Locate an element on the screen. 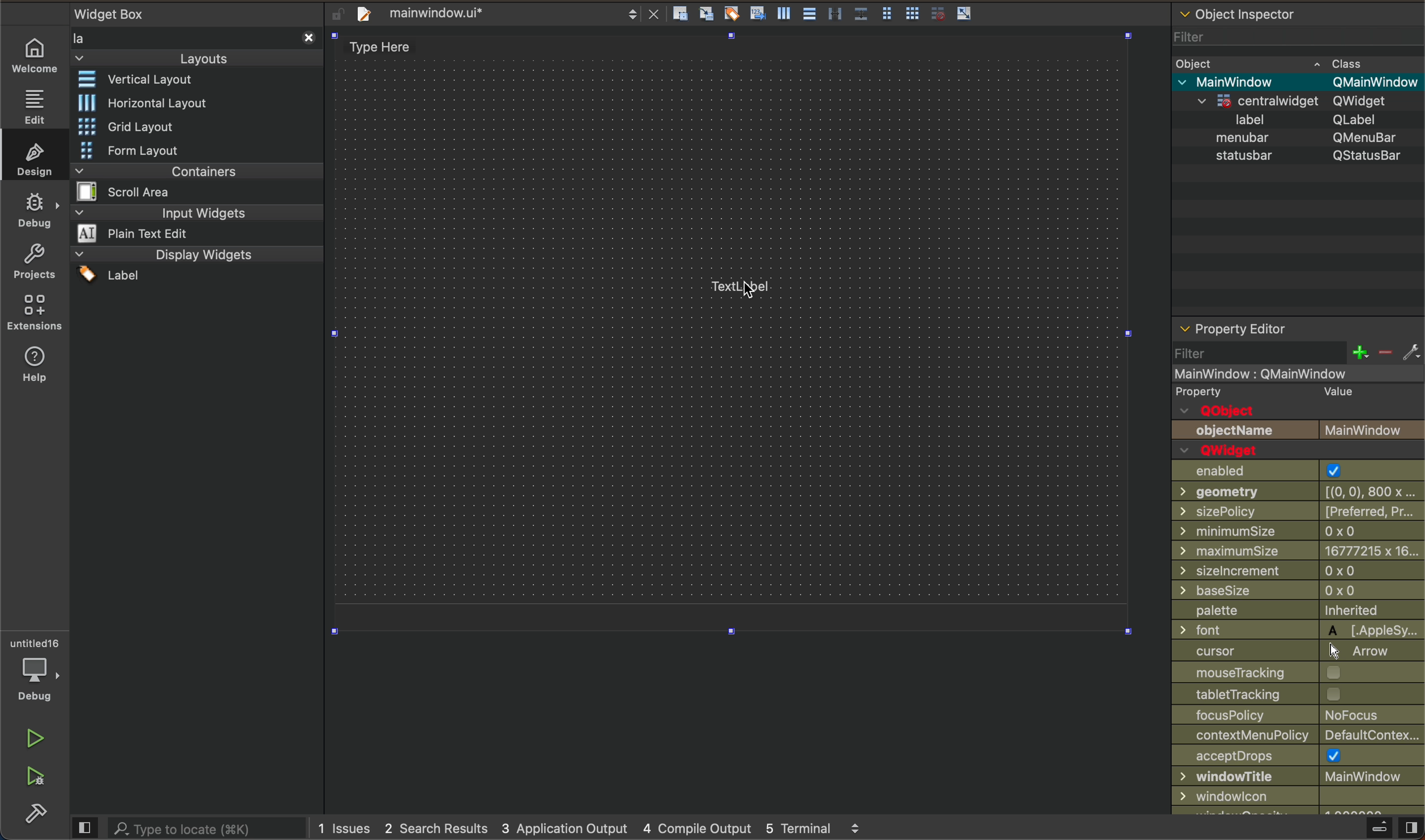   is located at coordinates (1295, 494).